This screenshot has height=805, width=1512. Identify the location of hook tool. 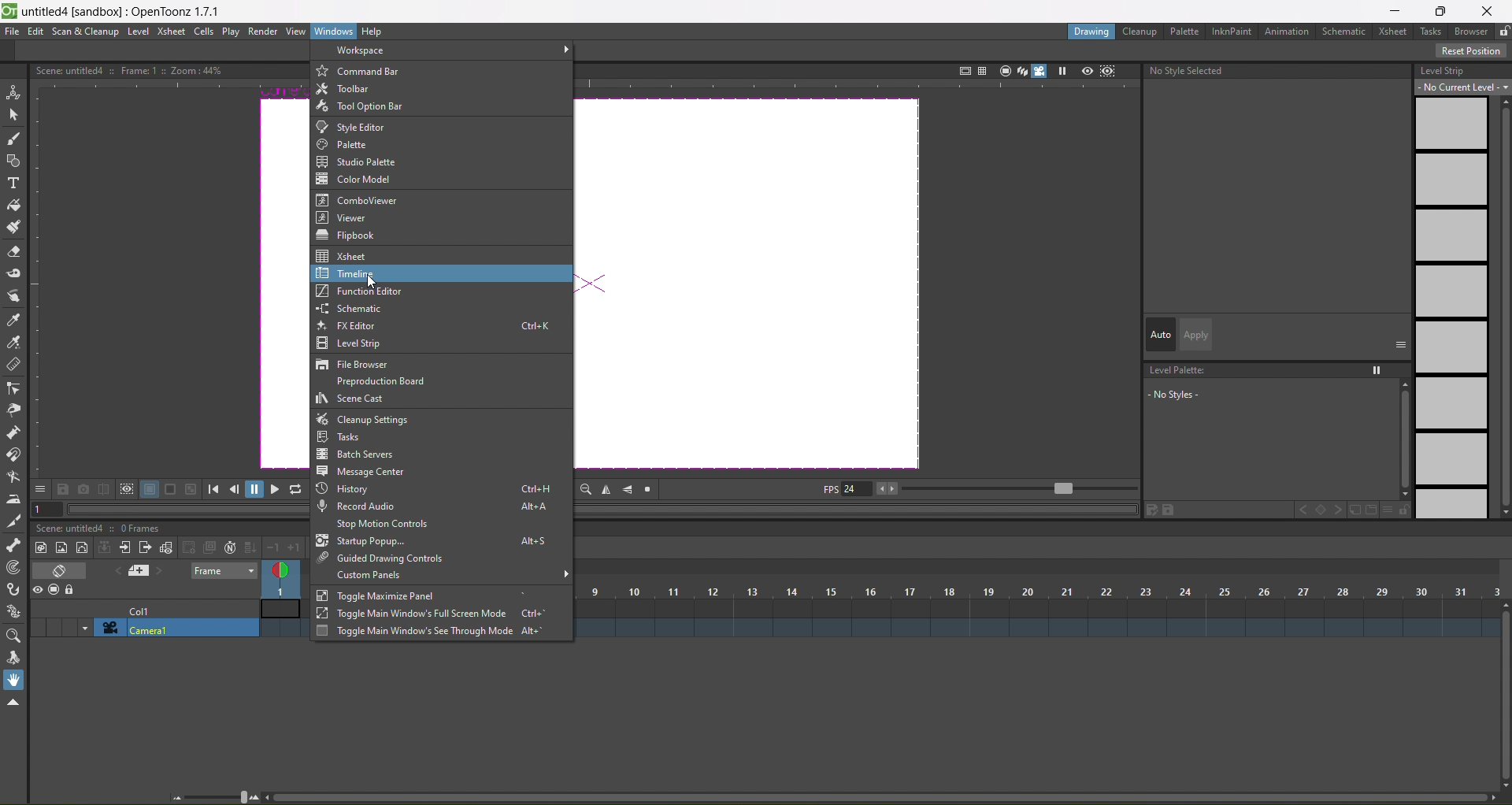
(15, 590).